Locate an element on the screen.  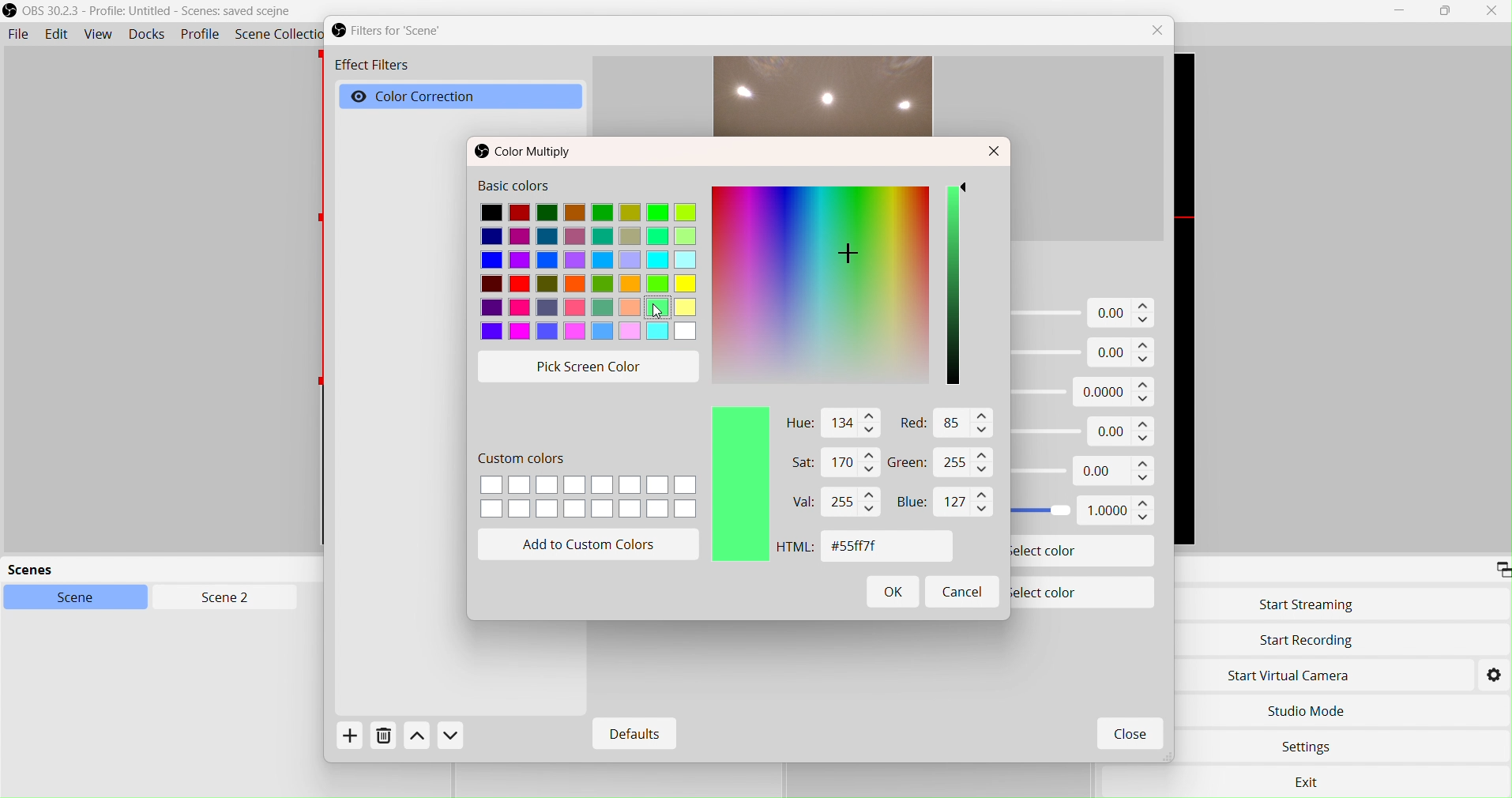
Settings is located at coordinates (1310, 749).